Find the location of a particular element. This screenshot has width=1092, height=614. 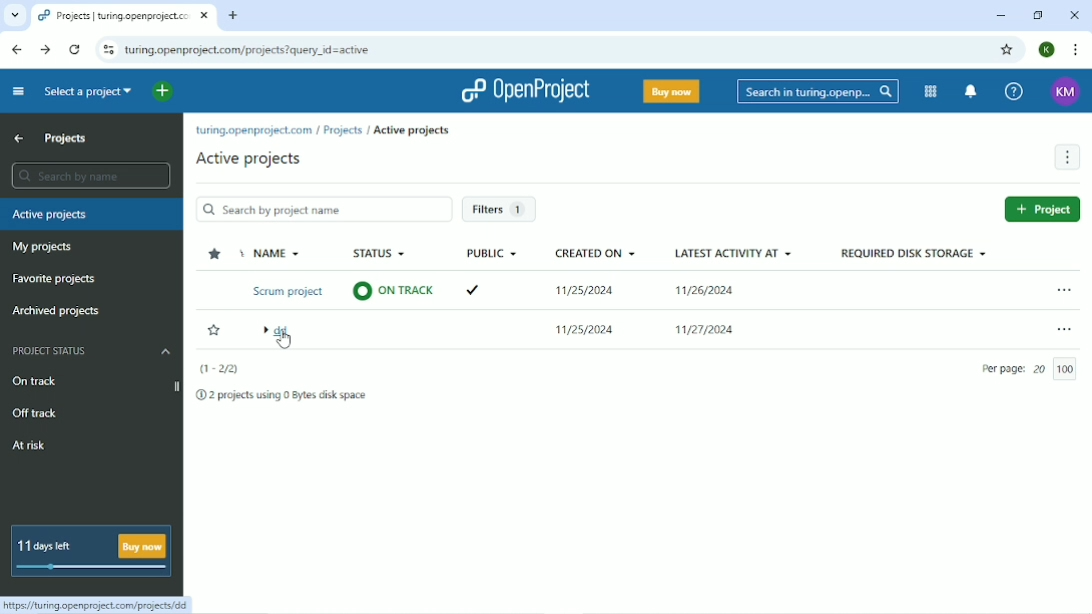

Latest activity at is located at coordinates (734, 254).